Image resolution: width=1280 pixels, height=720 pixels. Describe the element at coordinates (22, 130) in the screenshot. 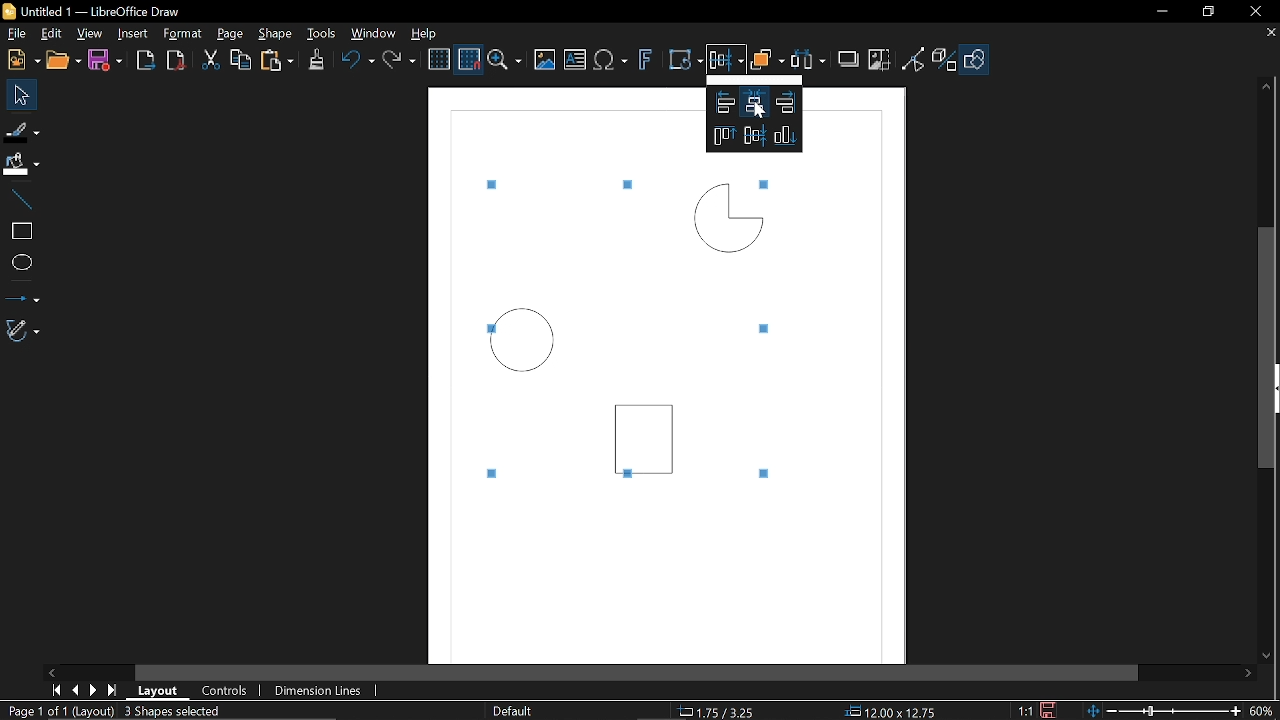

I see `Fill line` at that location.